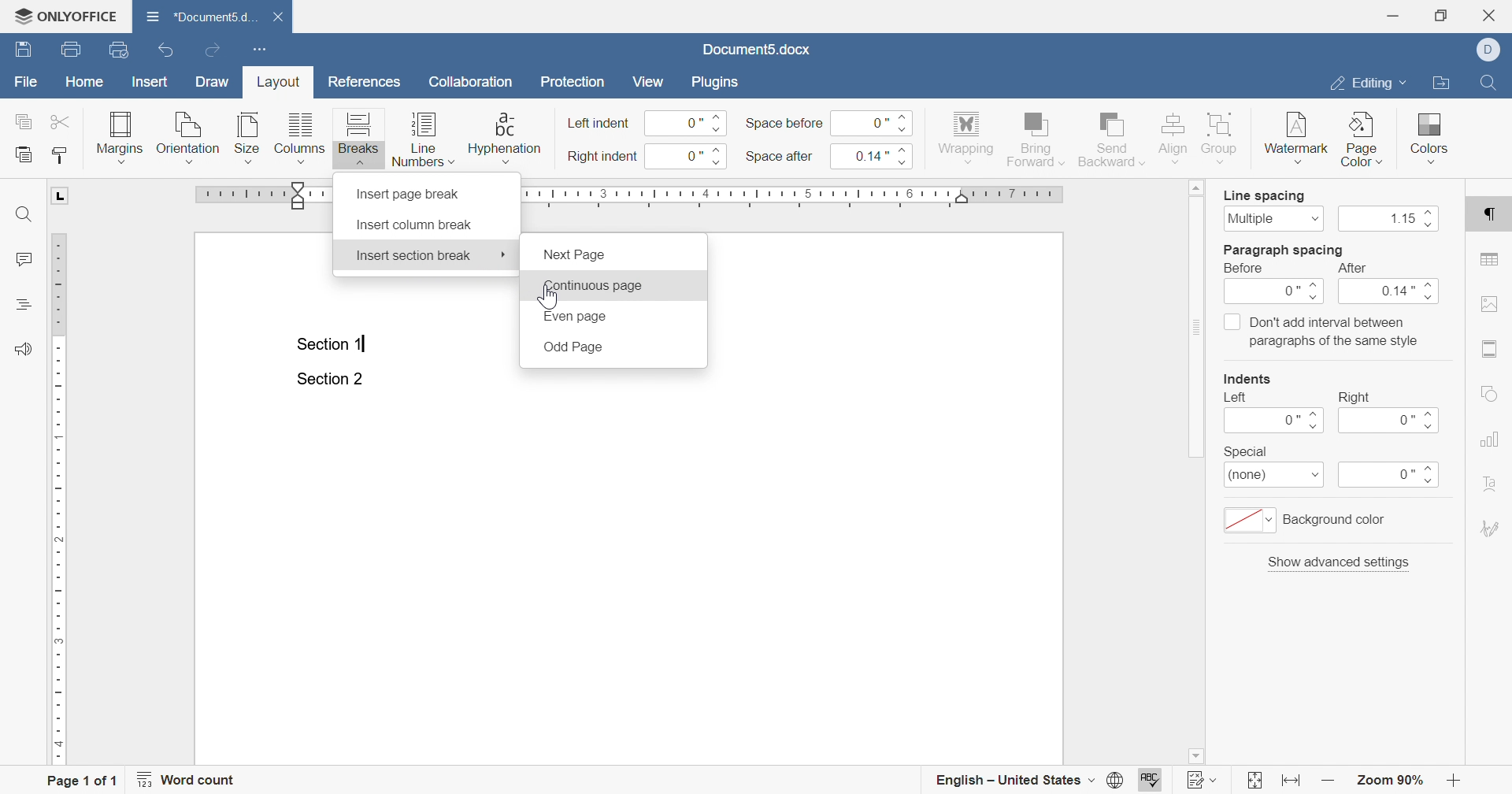 The width and height of the screenshot is (1512, 794). Describe the element at coordinates (1388, 780) in the screenshot. I see `zoom 90%` at that location.